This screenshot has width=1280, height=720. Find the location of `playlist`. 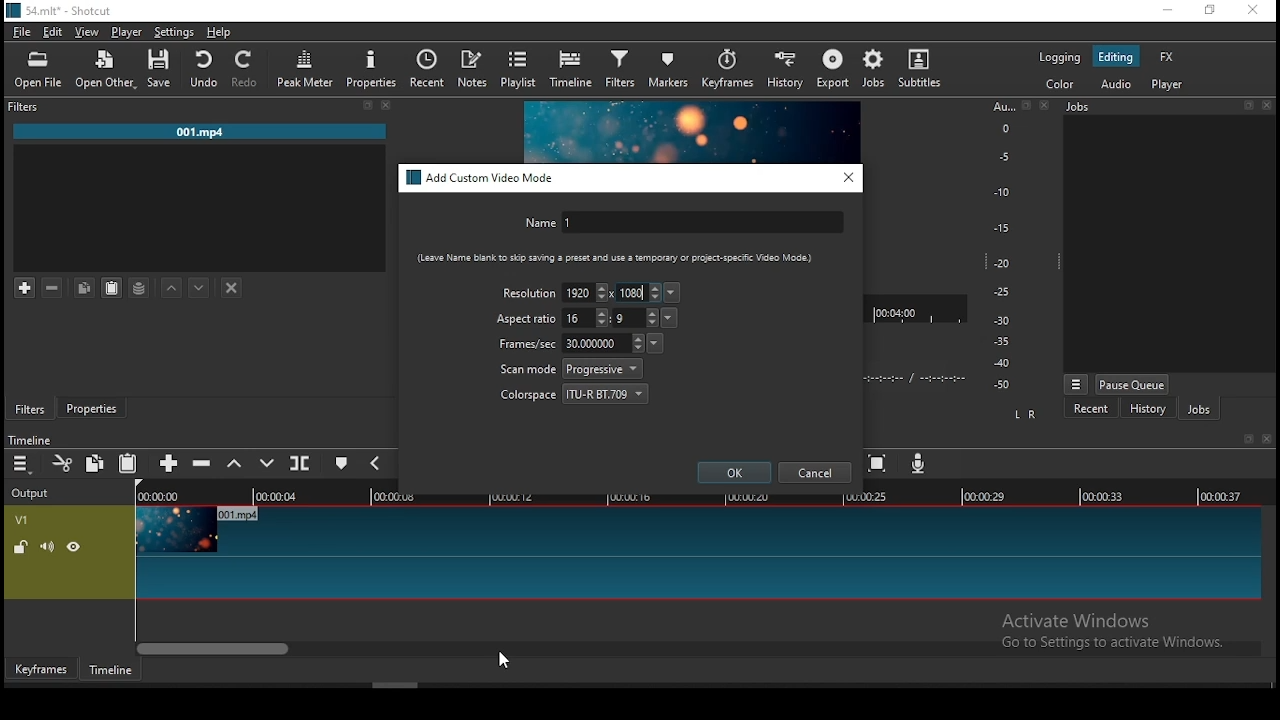

playlist is located at coordinates (520, 68).